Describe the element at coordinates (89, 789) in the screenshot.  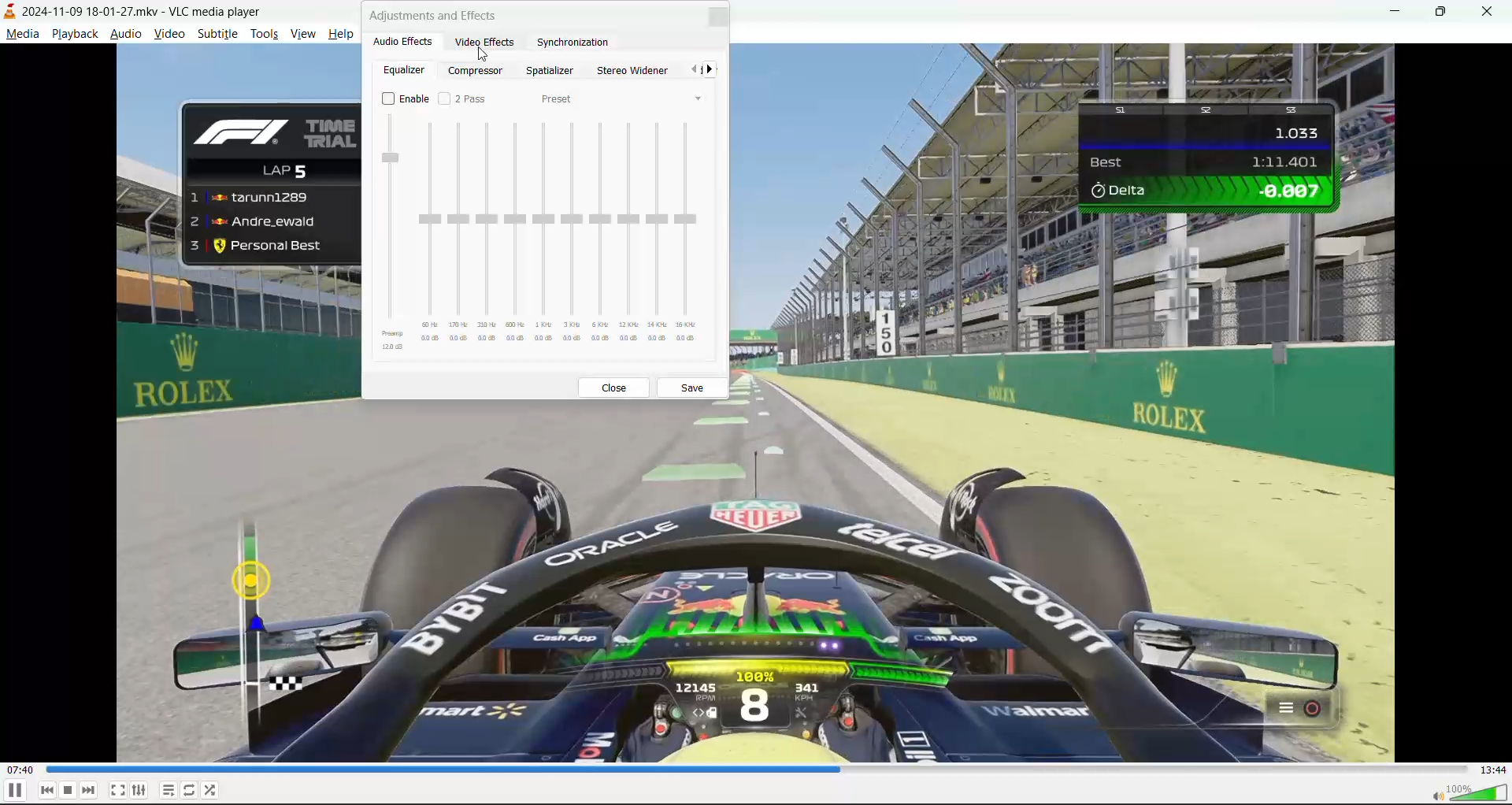
I see `next` at that location.